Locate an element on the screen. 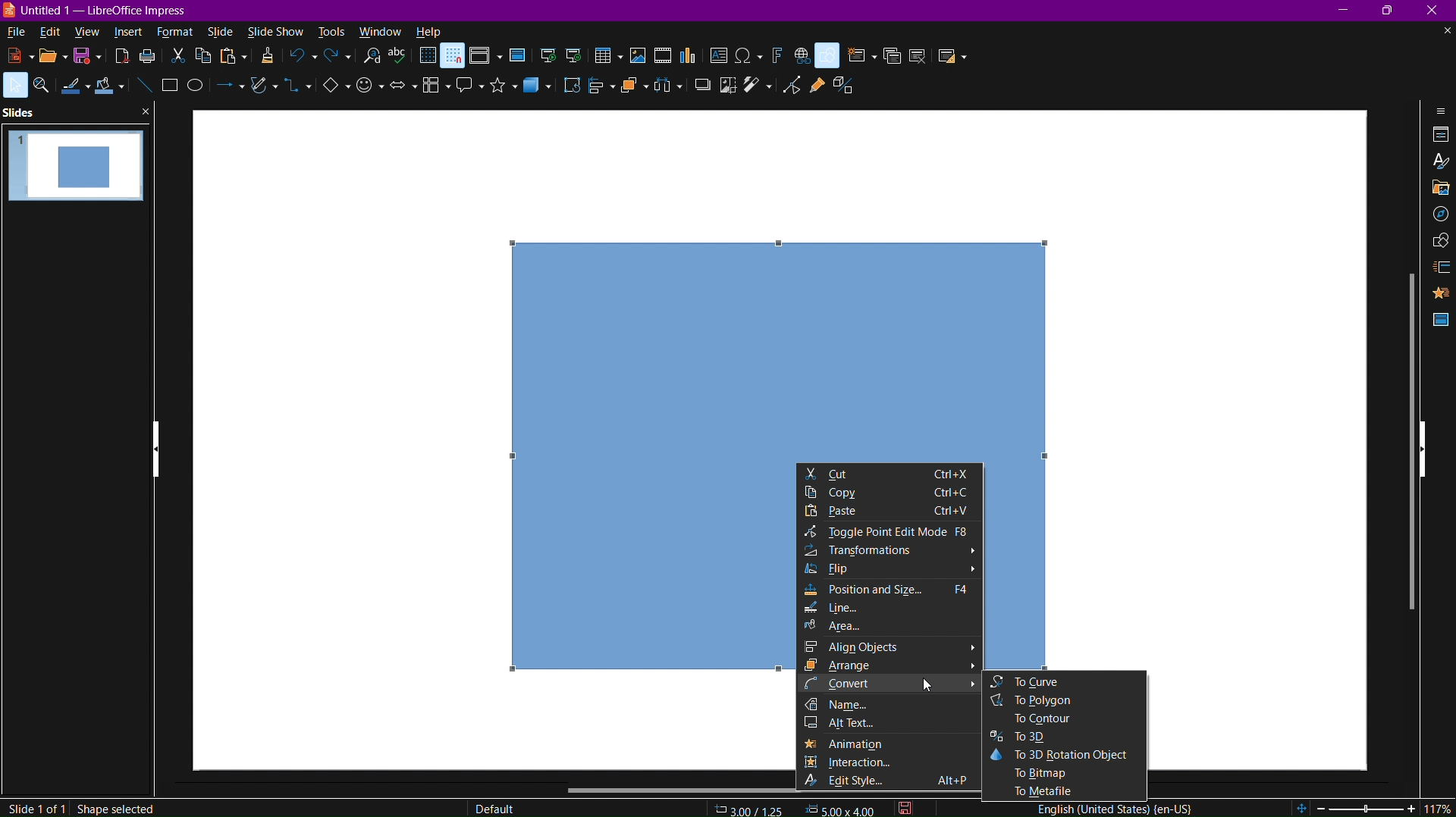 The image size is (1456, 817). Delete Slide is located at coordinates (918, 55).